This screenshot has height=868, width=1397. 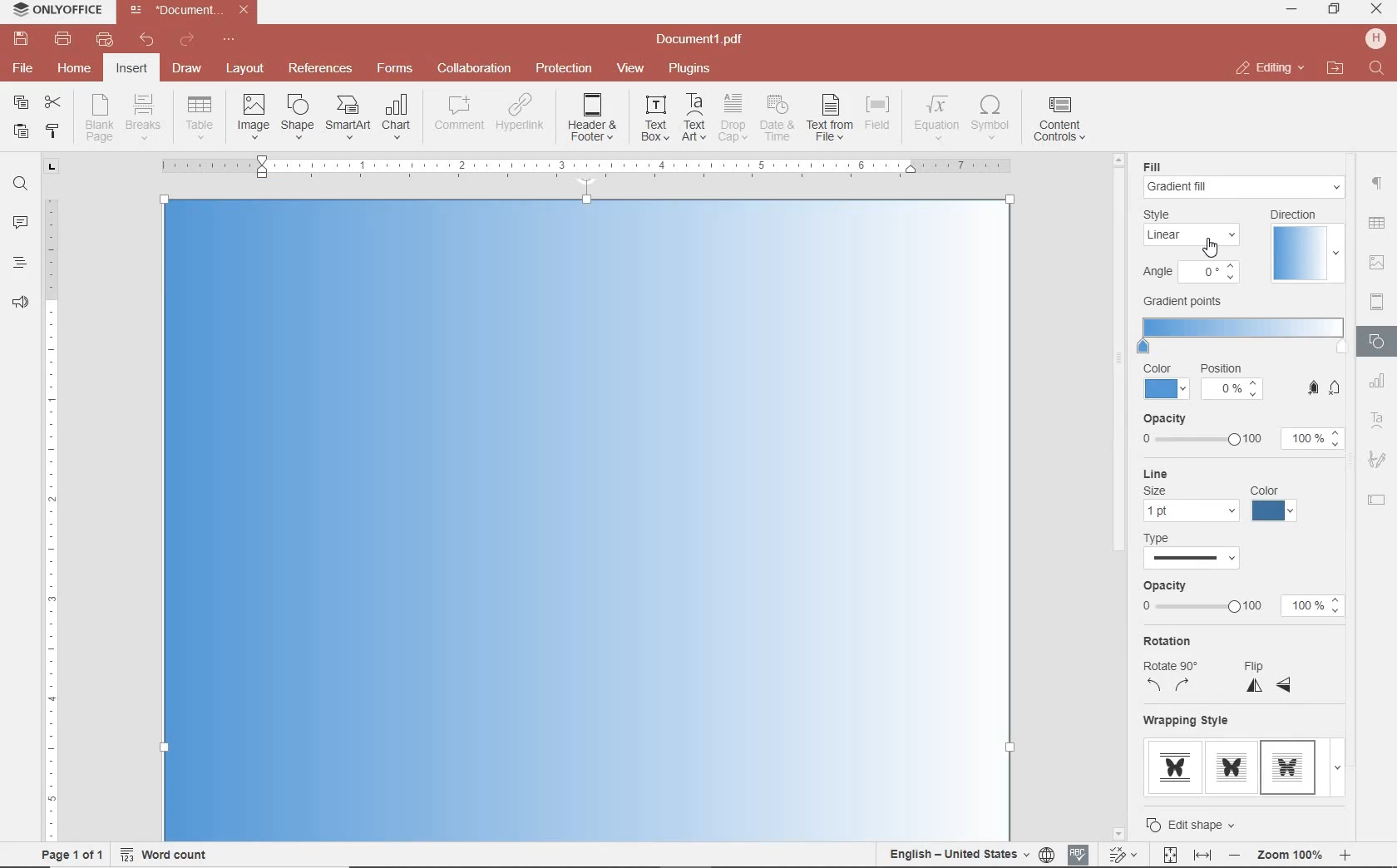 What do you see at coordinates (229, 40) in the screenshot?
I see `customize quick access toolbar` at bounding box center [229, 40].